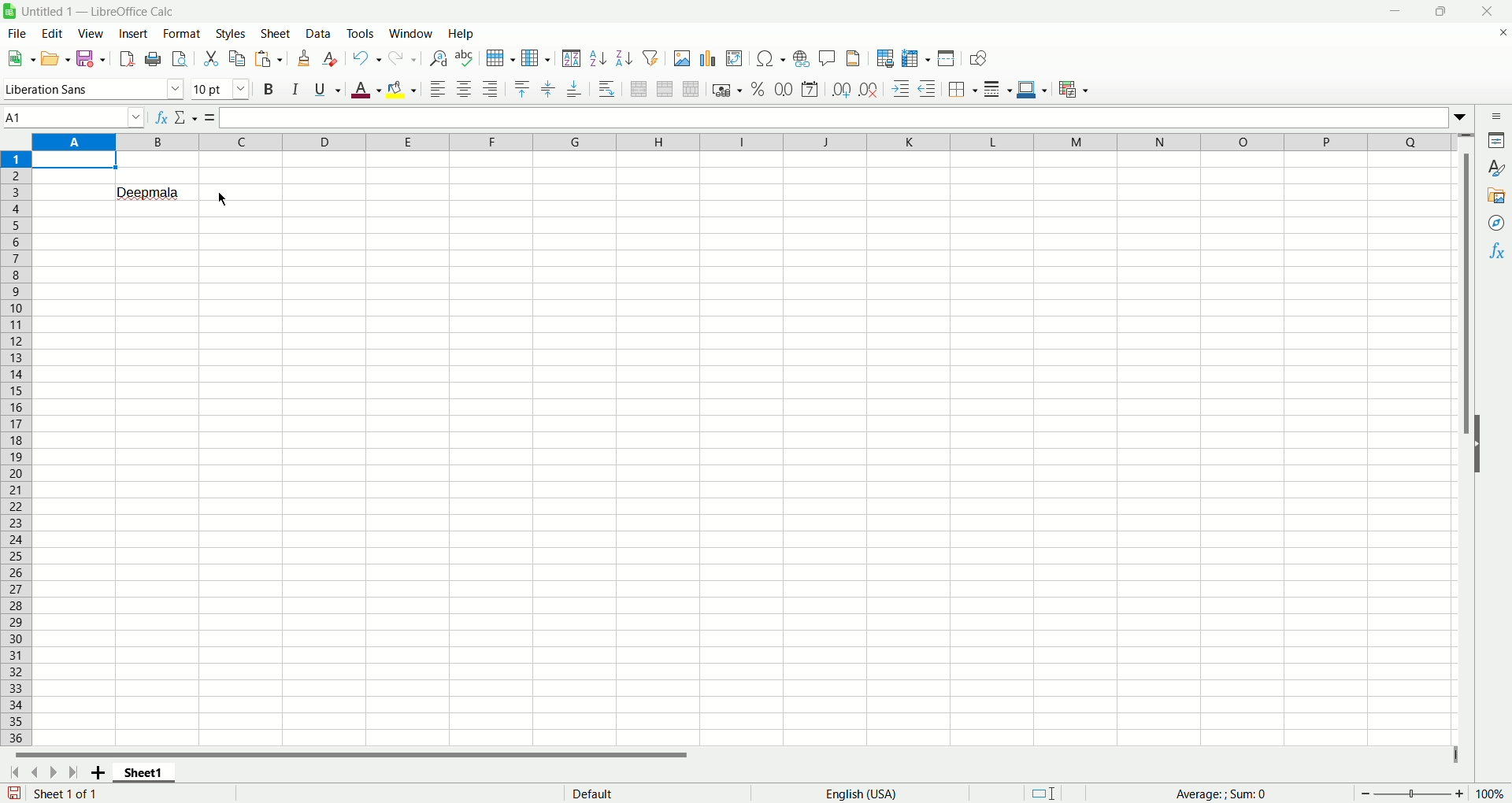 This screenshot has height=803, width=1512. I want to click on Functions, so click(1495, 250).